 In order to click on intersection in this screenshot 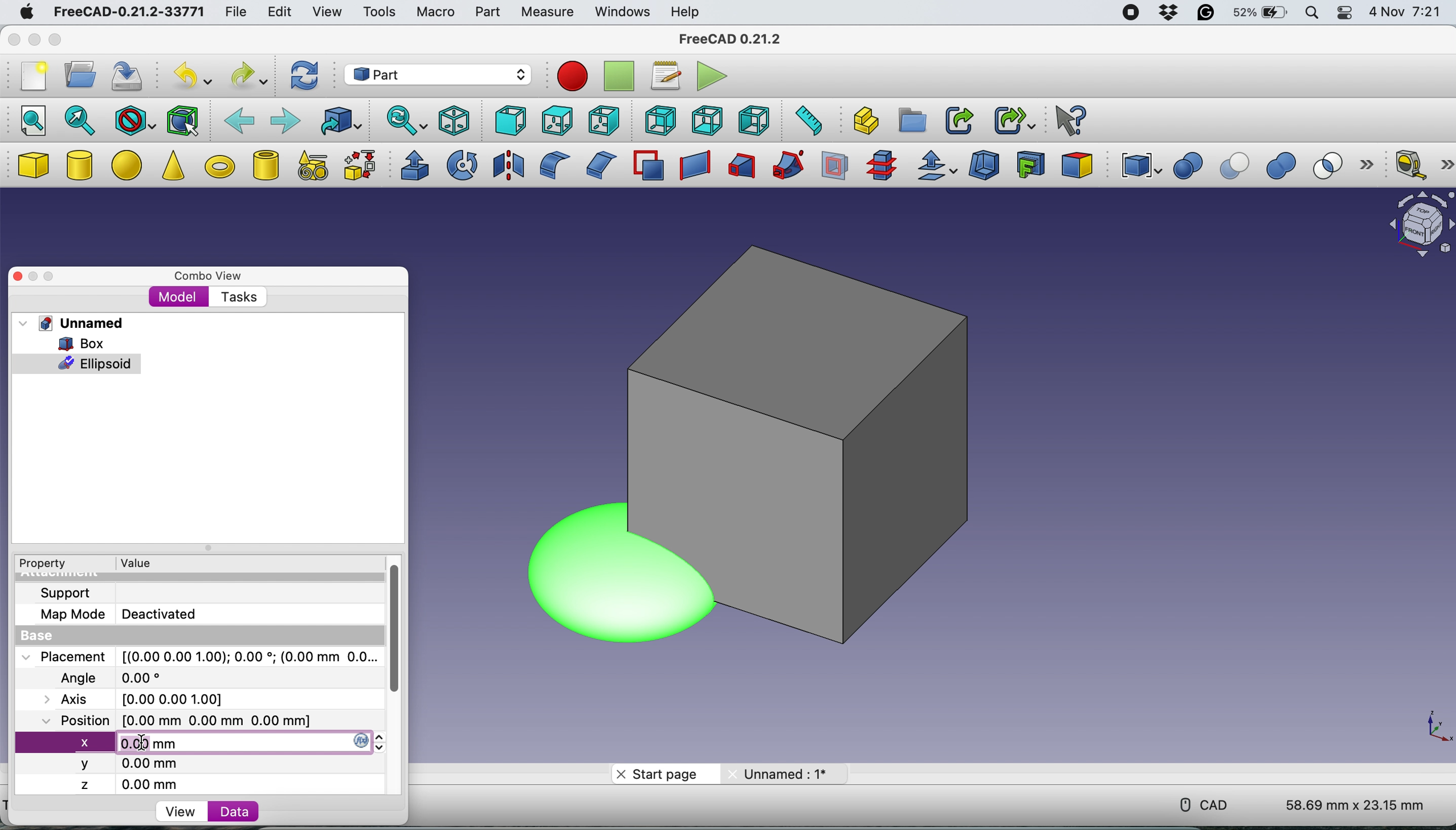, I will do `click(1334, 165)`.